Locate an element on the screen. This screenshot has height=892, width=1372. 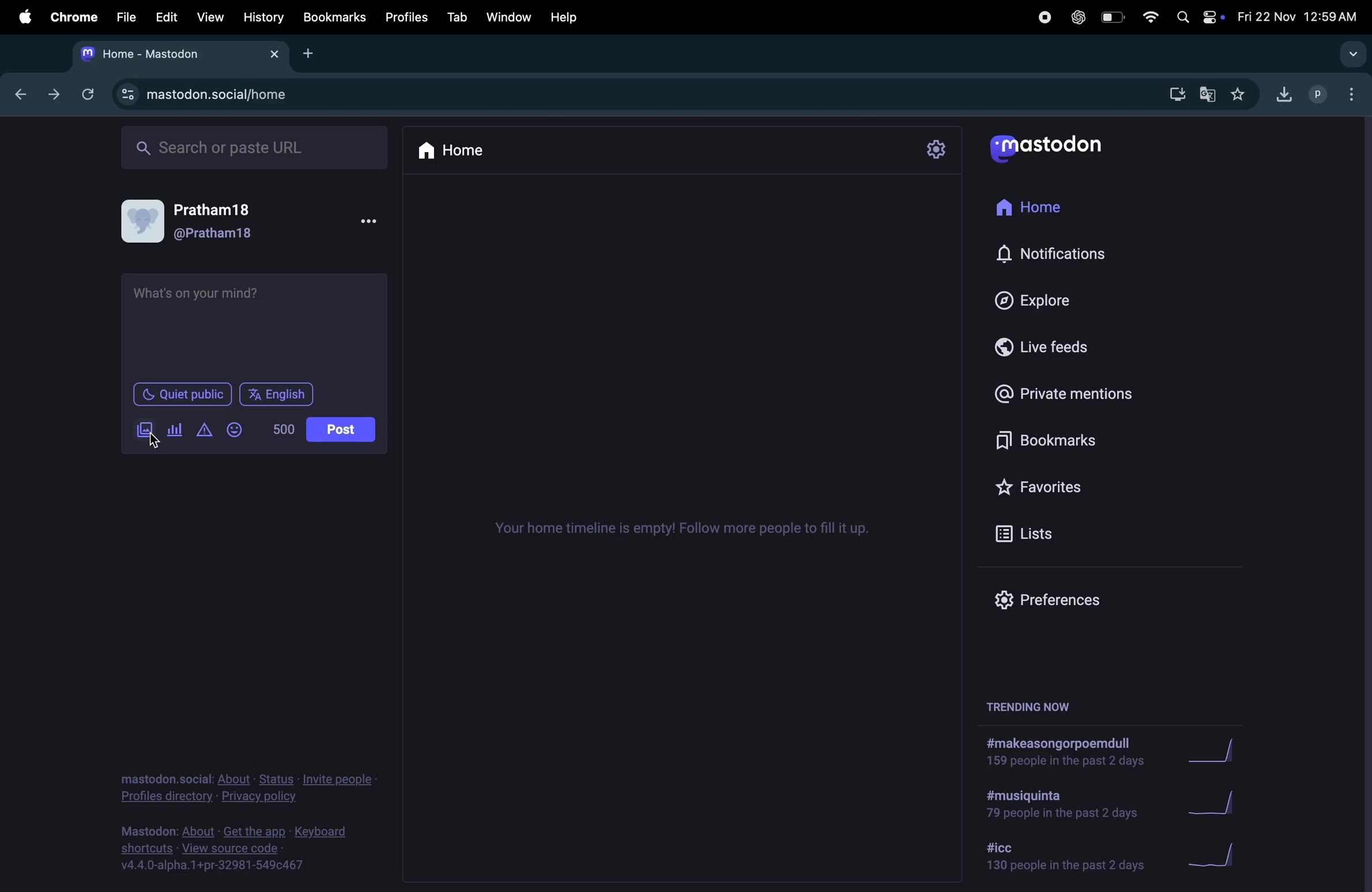
shortcuts is located at coordinates (147, 848).